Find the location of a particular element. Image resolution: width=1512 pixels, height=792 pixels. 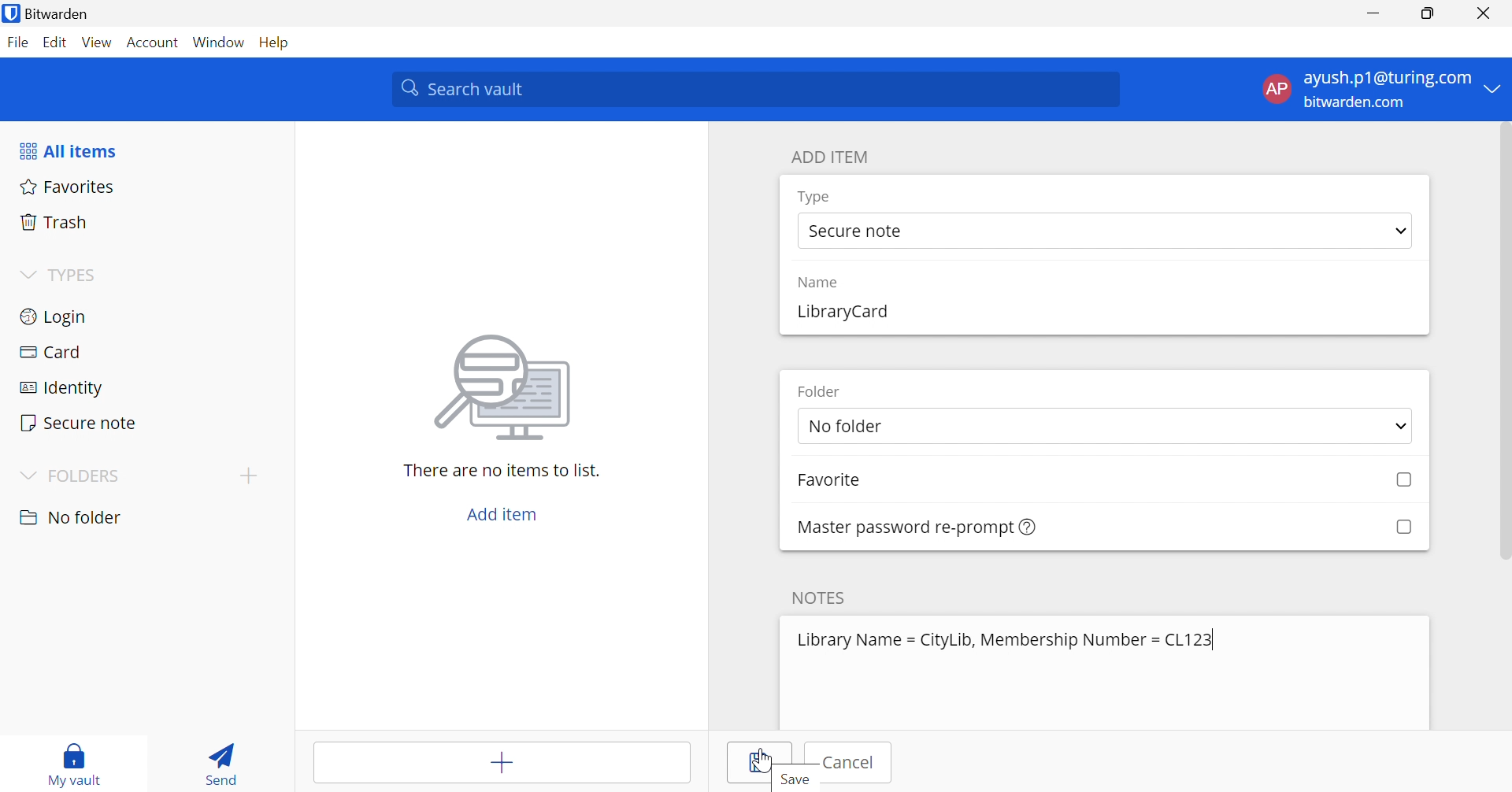

Trash is located at coordinates (147, 221).